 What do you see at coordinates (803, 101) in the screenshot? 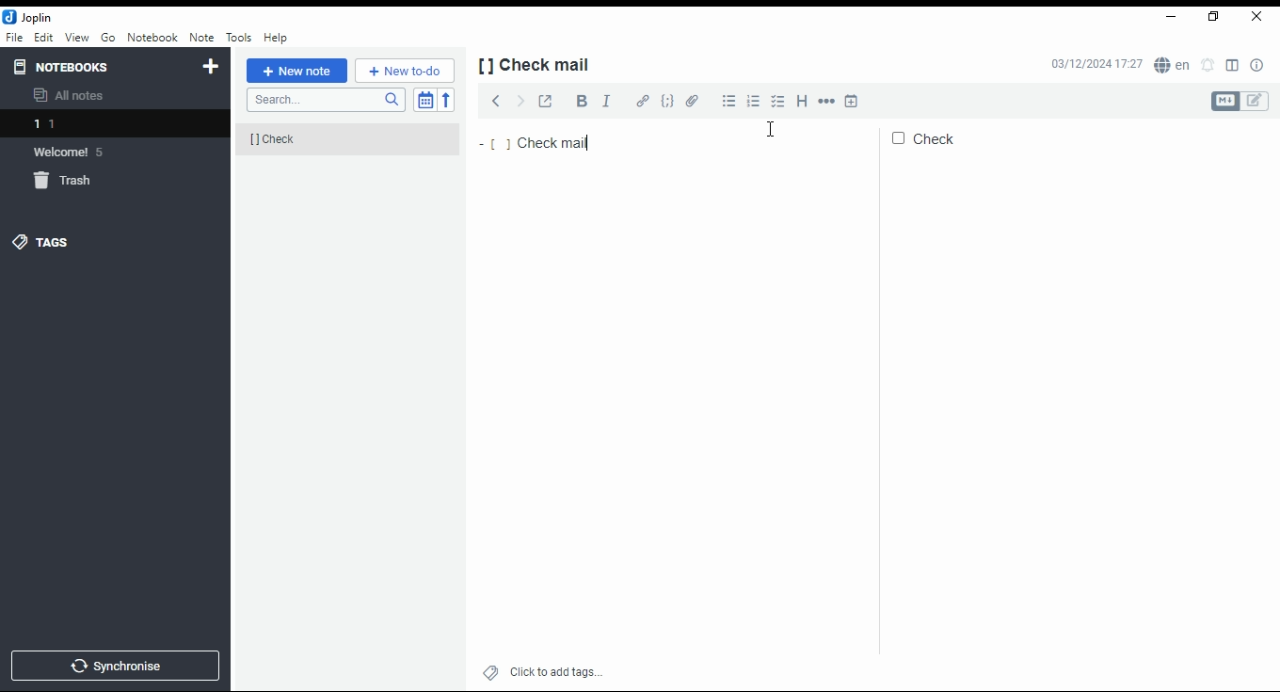
I see `heading` at bounding box center [803, 101].